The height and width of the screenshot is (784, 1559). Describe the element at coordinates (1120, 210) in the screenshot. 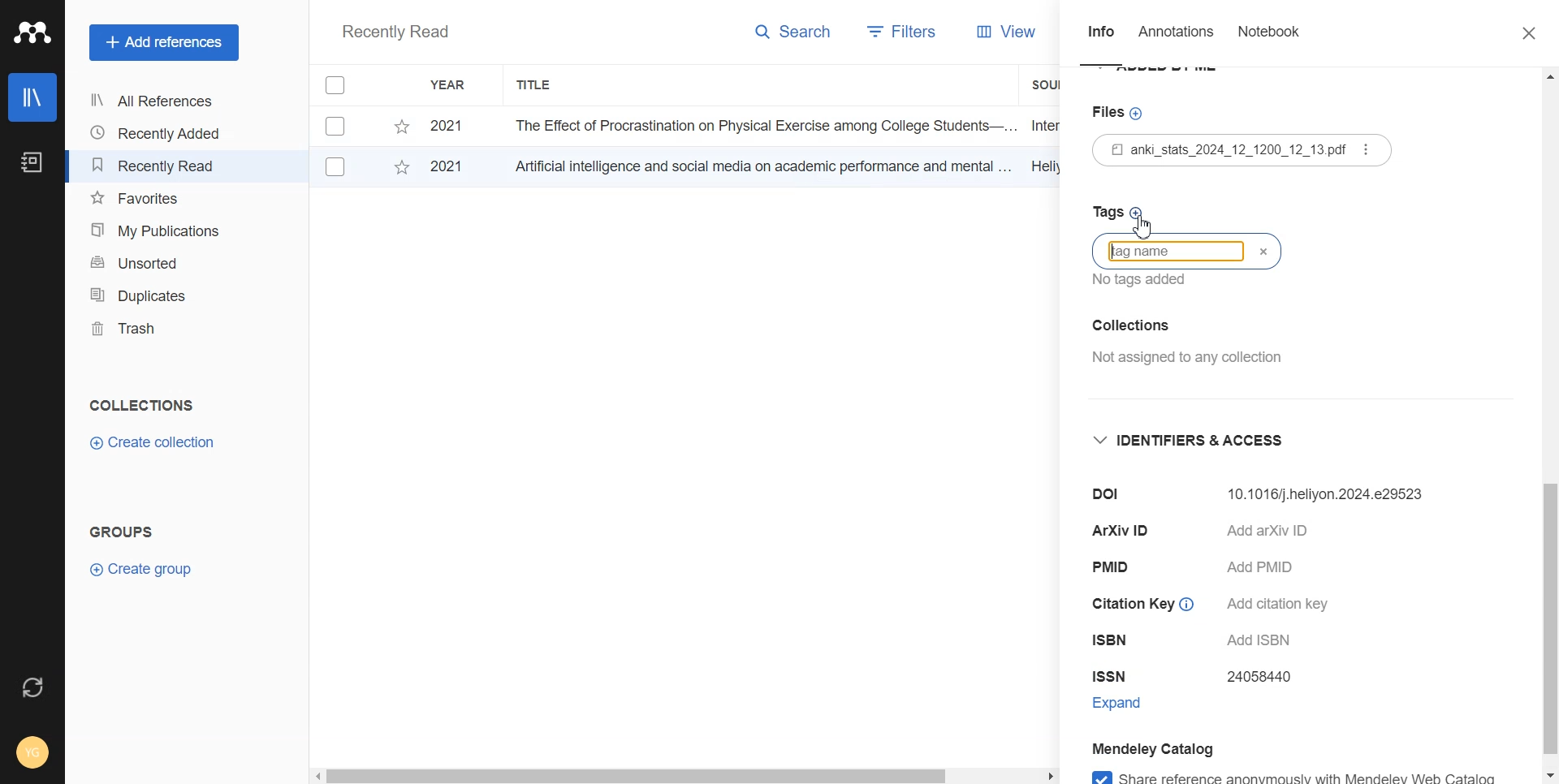

I see `Tags` at that location.